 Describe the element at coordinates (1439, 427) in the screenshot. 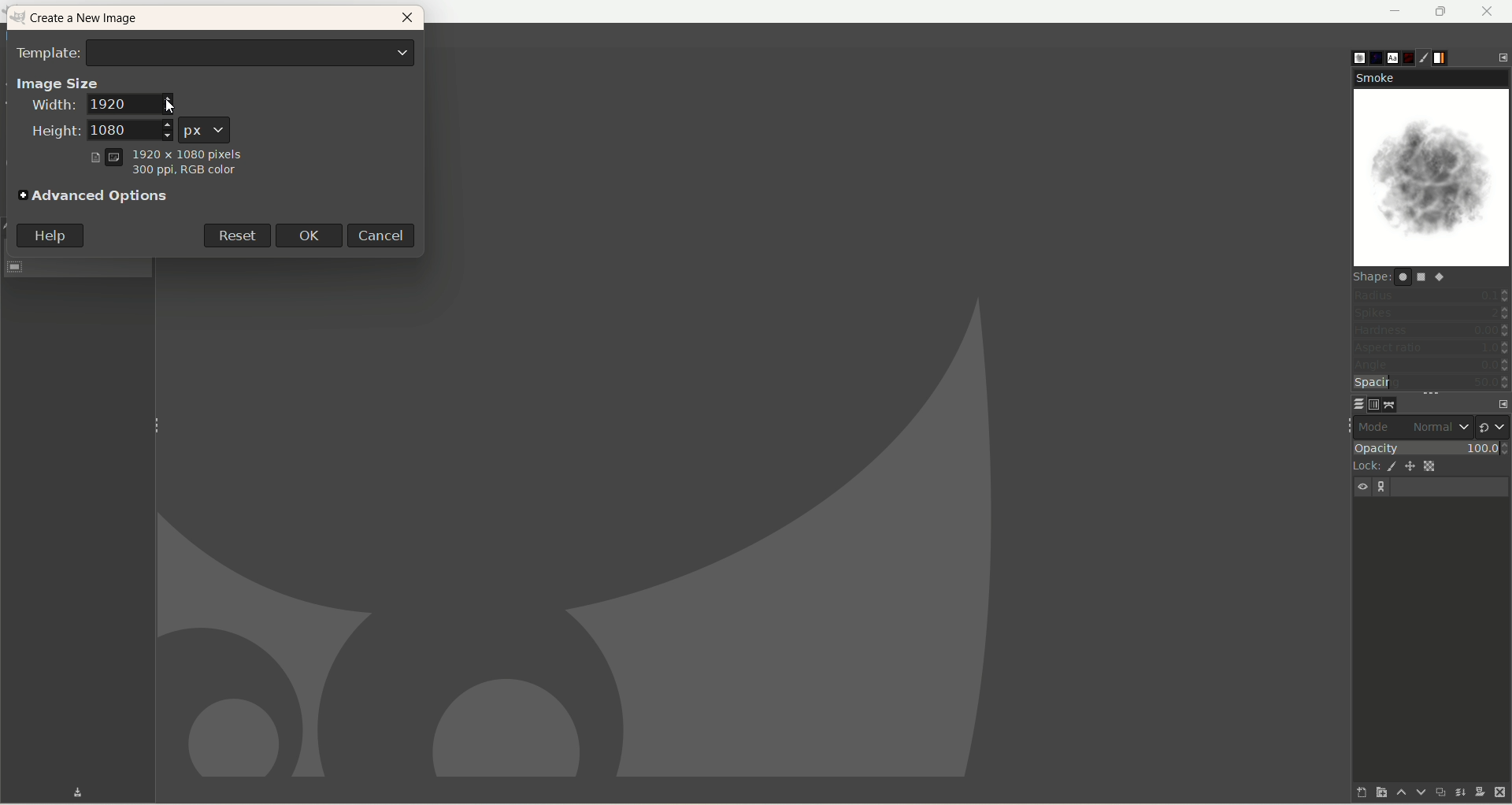

I see `normal` at that location.